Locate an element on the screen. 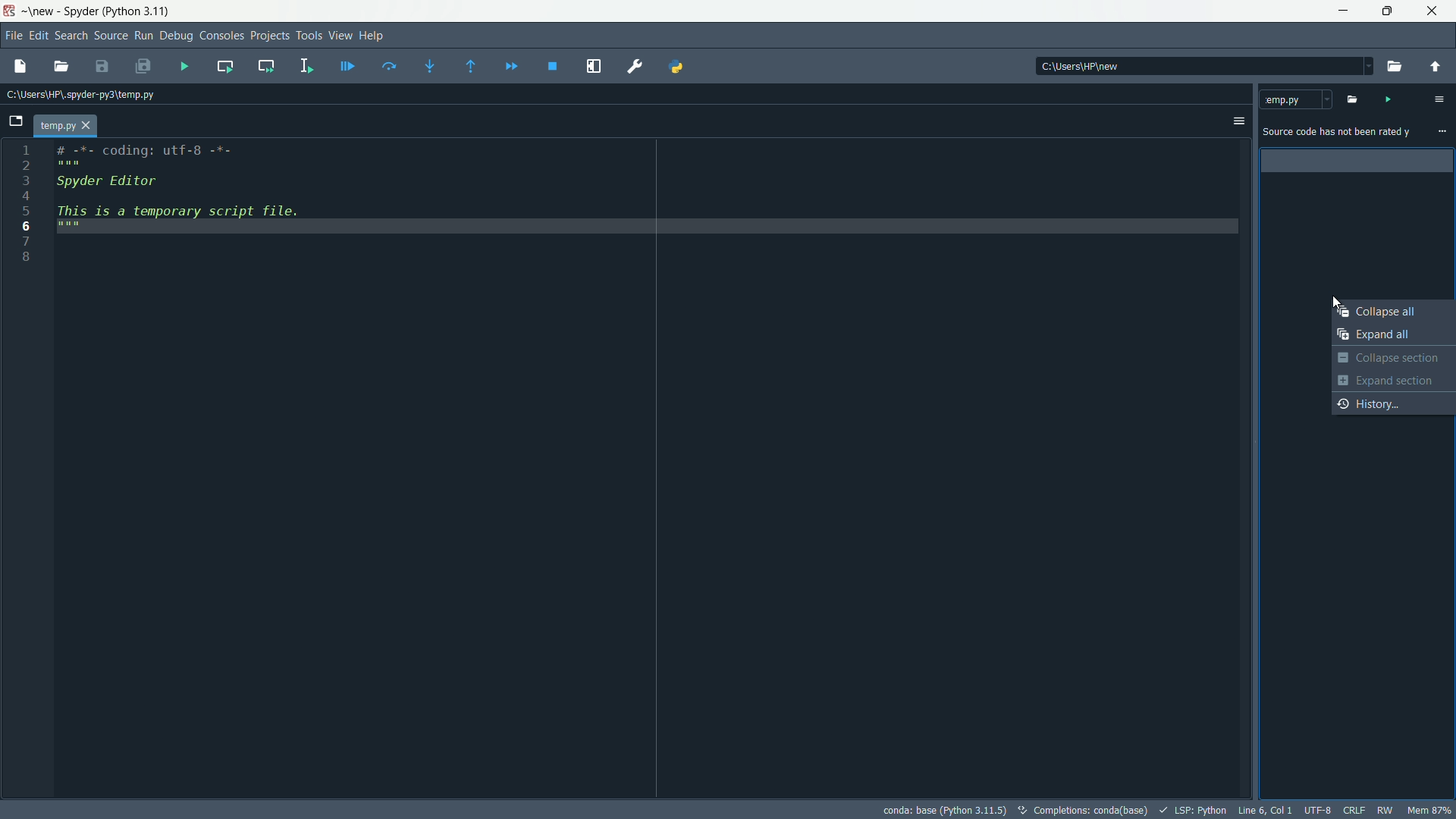  app name is located at coordinates (77, 11).